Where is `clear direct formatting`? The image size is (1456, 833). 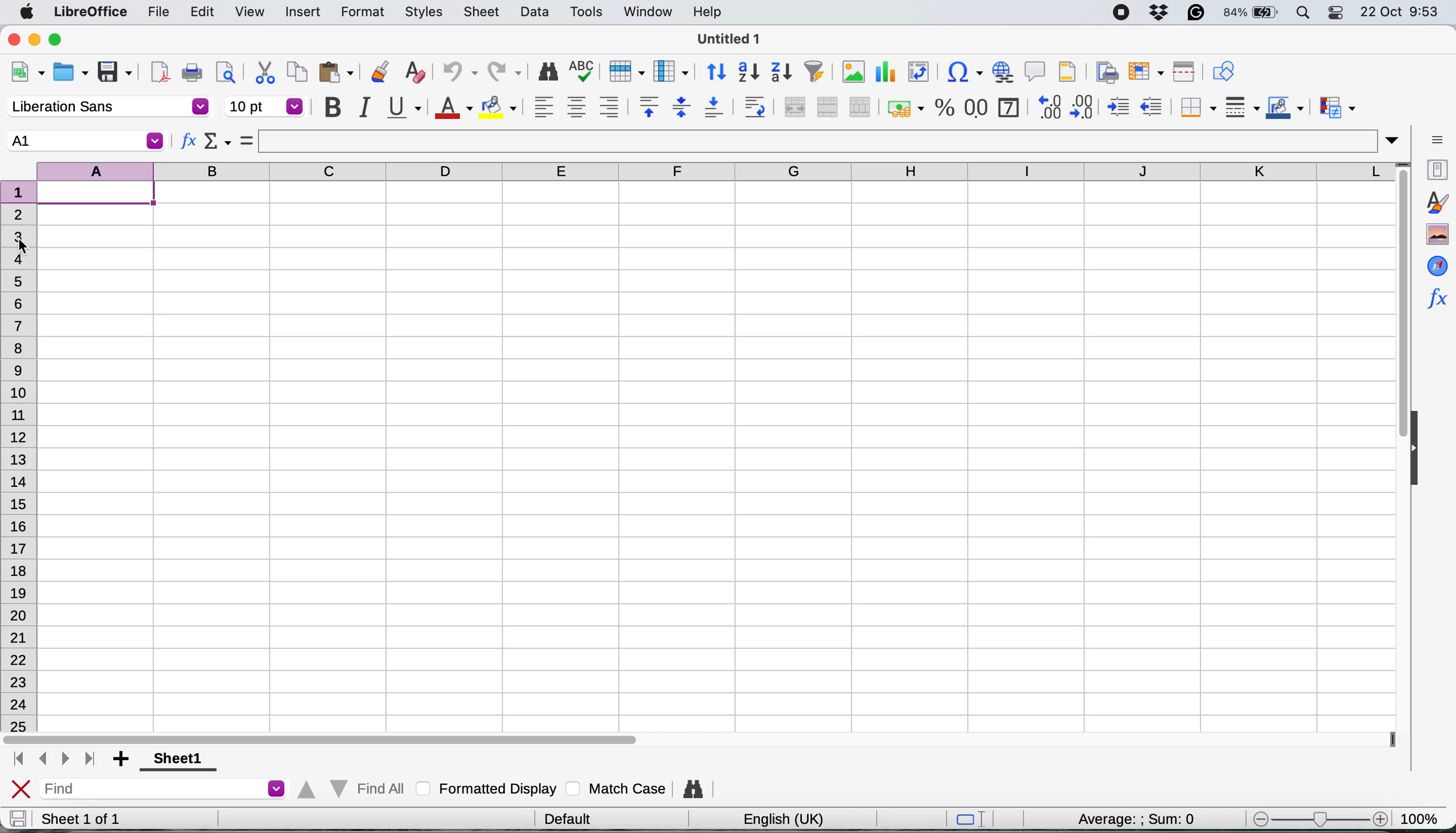 clear direct formatting is located at coordinates (415, 73).